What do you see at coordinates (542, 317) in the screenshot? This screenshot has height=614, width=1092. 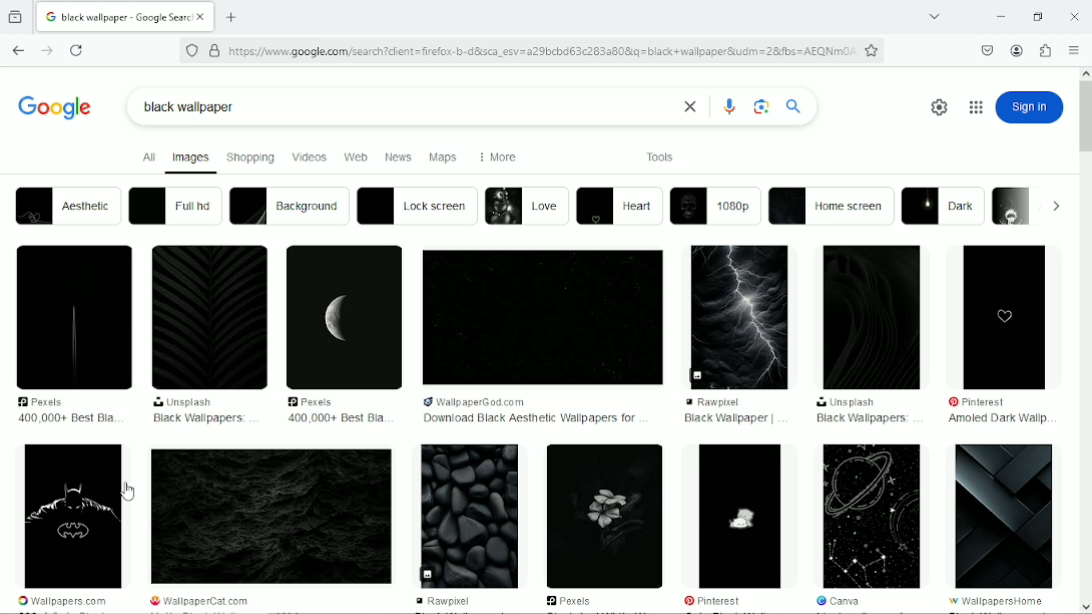 I see `black image` at bounding box center [542, 317].